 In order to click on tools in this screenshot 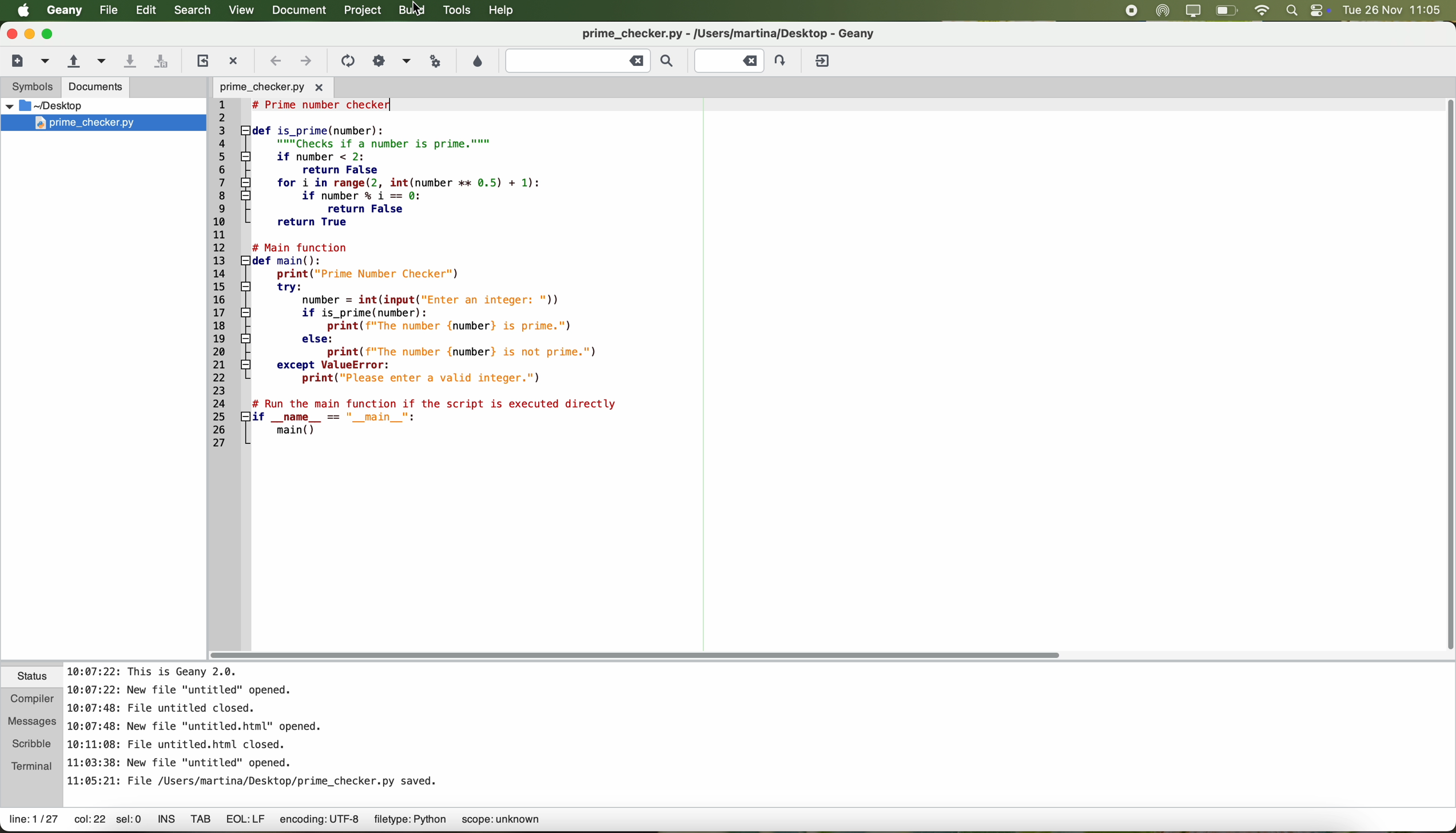, I will do `click(458, 11)`.